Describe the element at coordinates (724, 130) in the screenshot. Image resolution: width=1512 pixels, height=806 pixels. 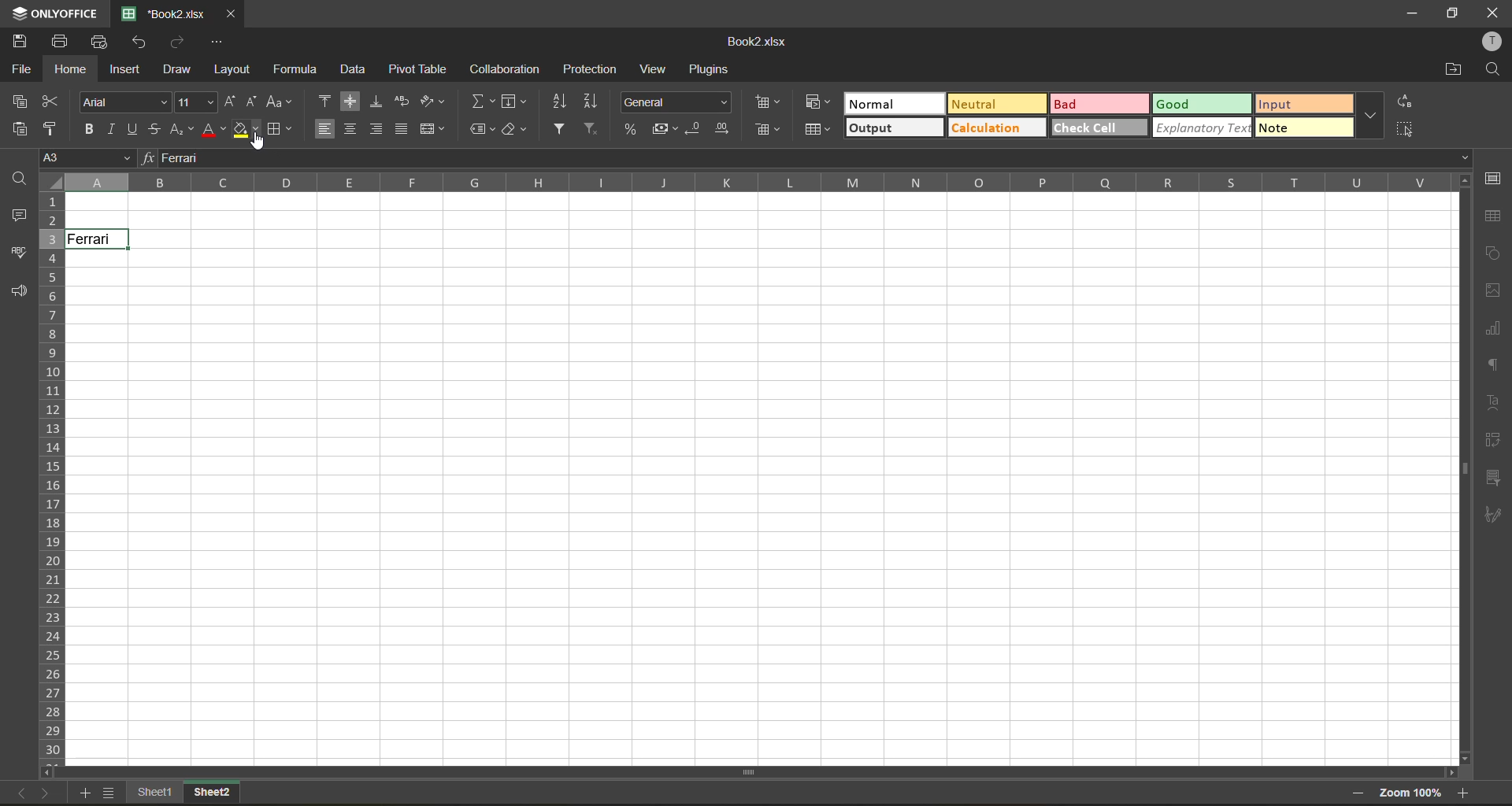
I see `increase decimal` at that location.